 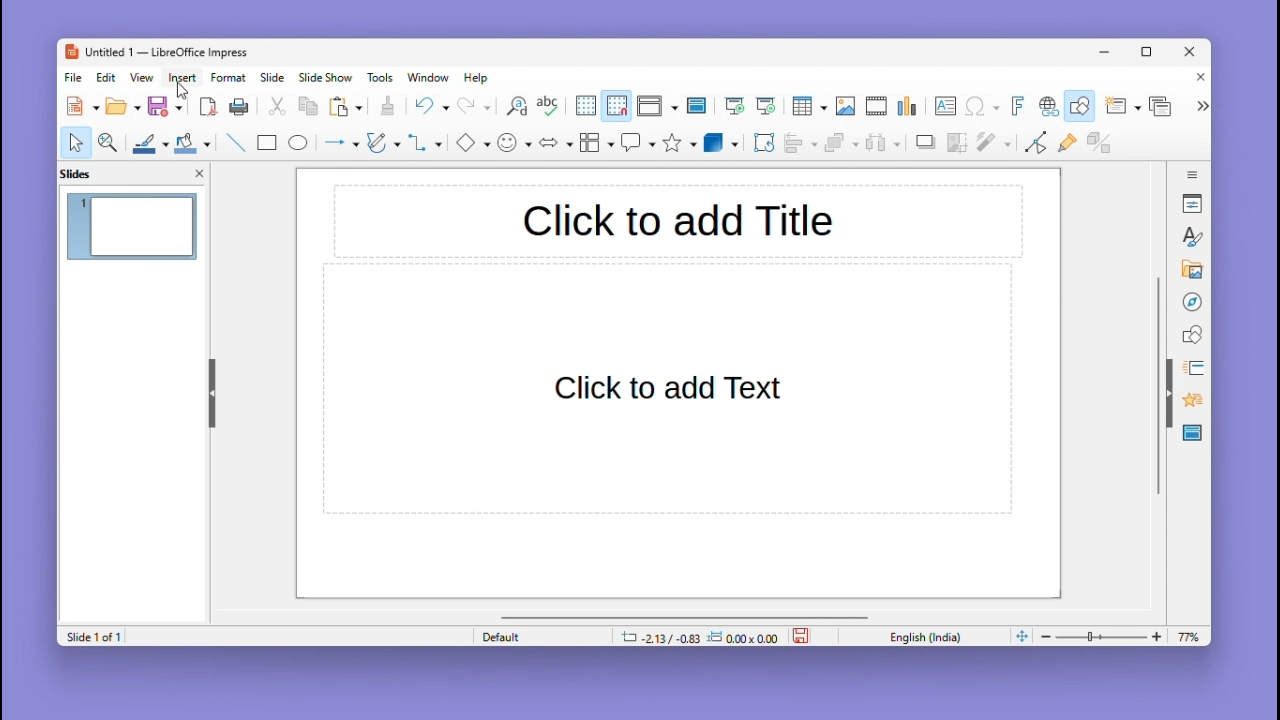 What do you see at coordinates (735, 107) in the screenshot?
I see `First slide` at bounding box center [735, 107].